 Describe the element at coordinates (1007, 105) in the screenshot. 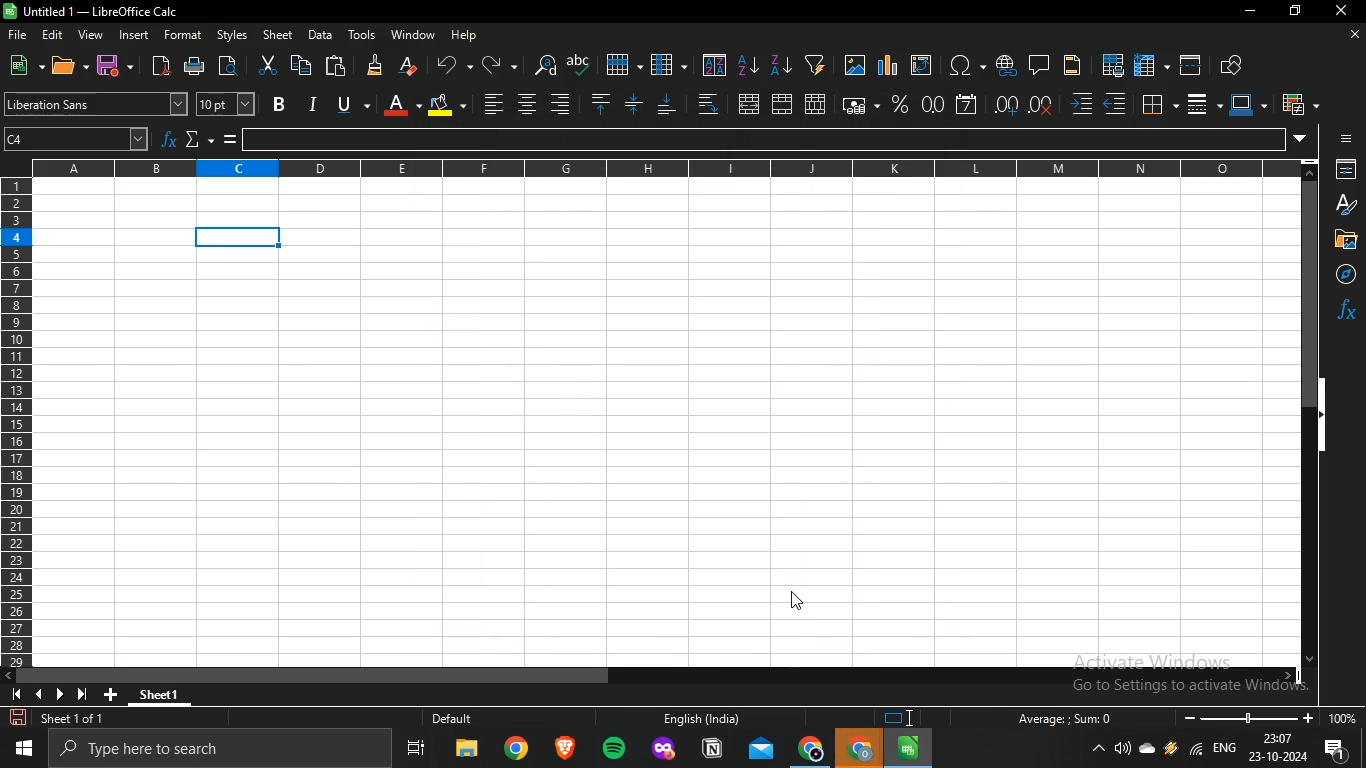

I see `add decimal place` at that location.